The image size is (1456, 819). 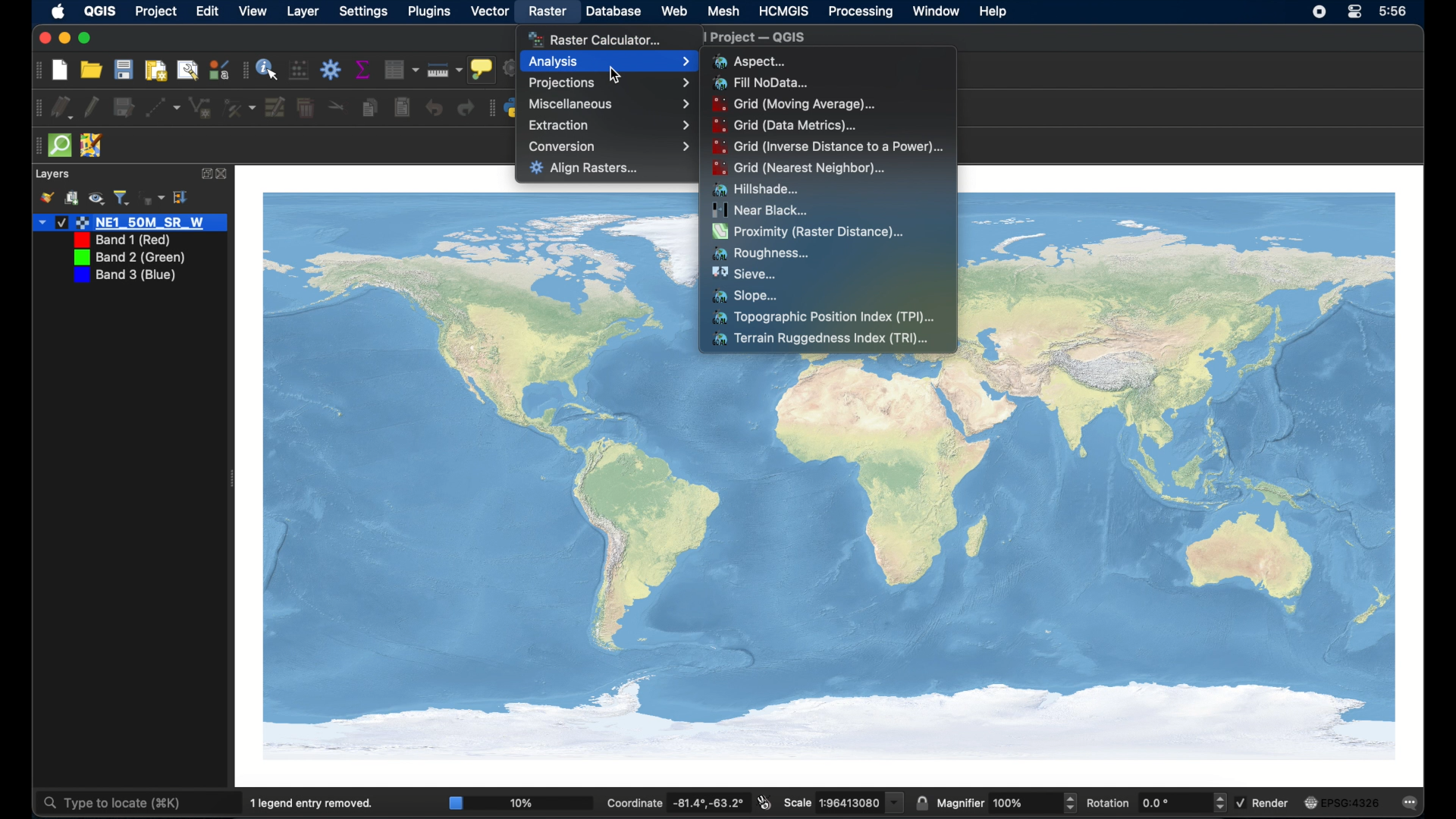 What do you see at coordinates (482, 69) in the screenshot?
I see `show map tips` at bounding box center [482, 69].